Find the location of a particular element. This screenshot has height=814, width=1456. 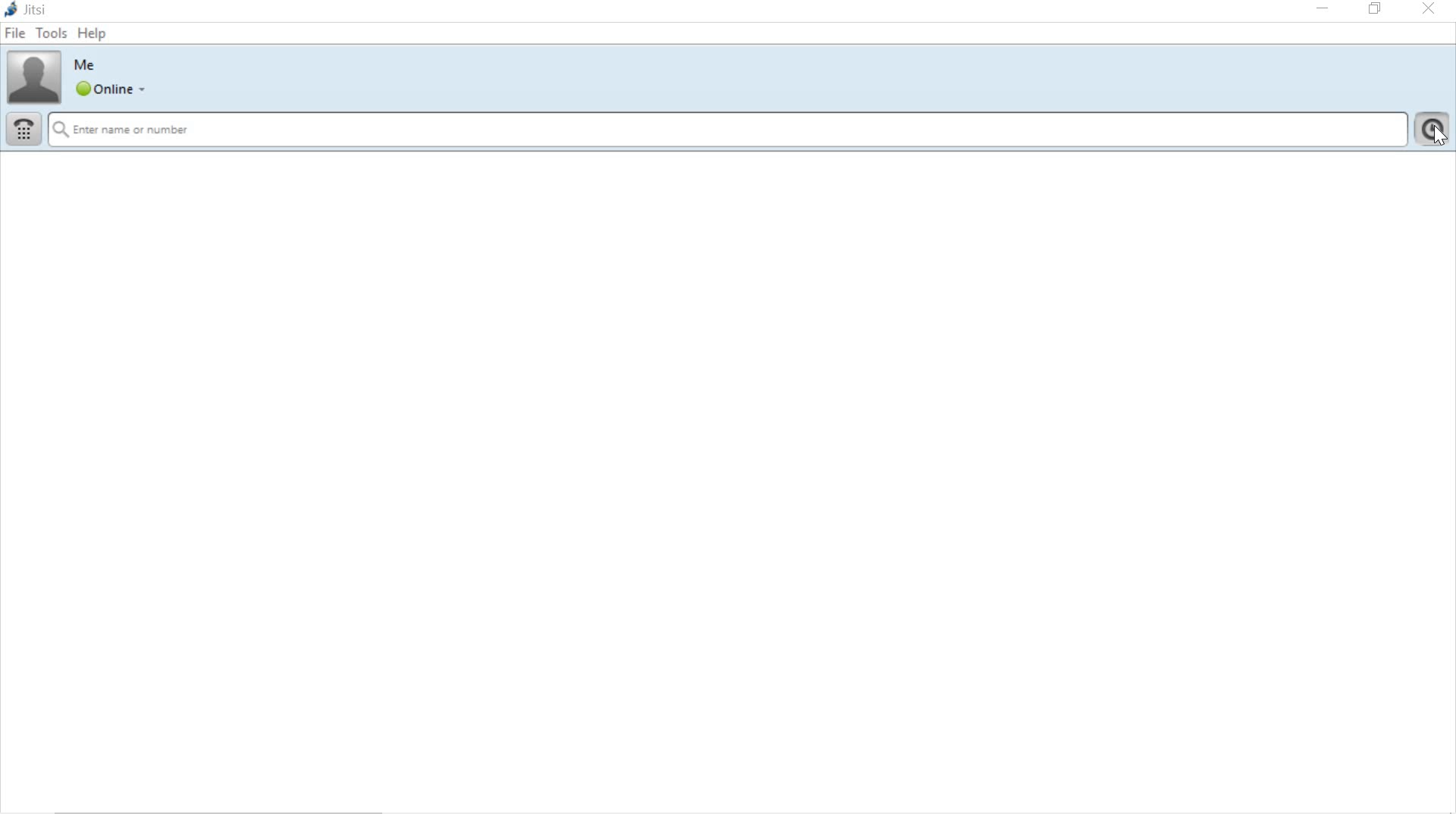

help is located at coordinates (94, 33).